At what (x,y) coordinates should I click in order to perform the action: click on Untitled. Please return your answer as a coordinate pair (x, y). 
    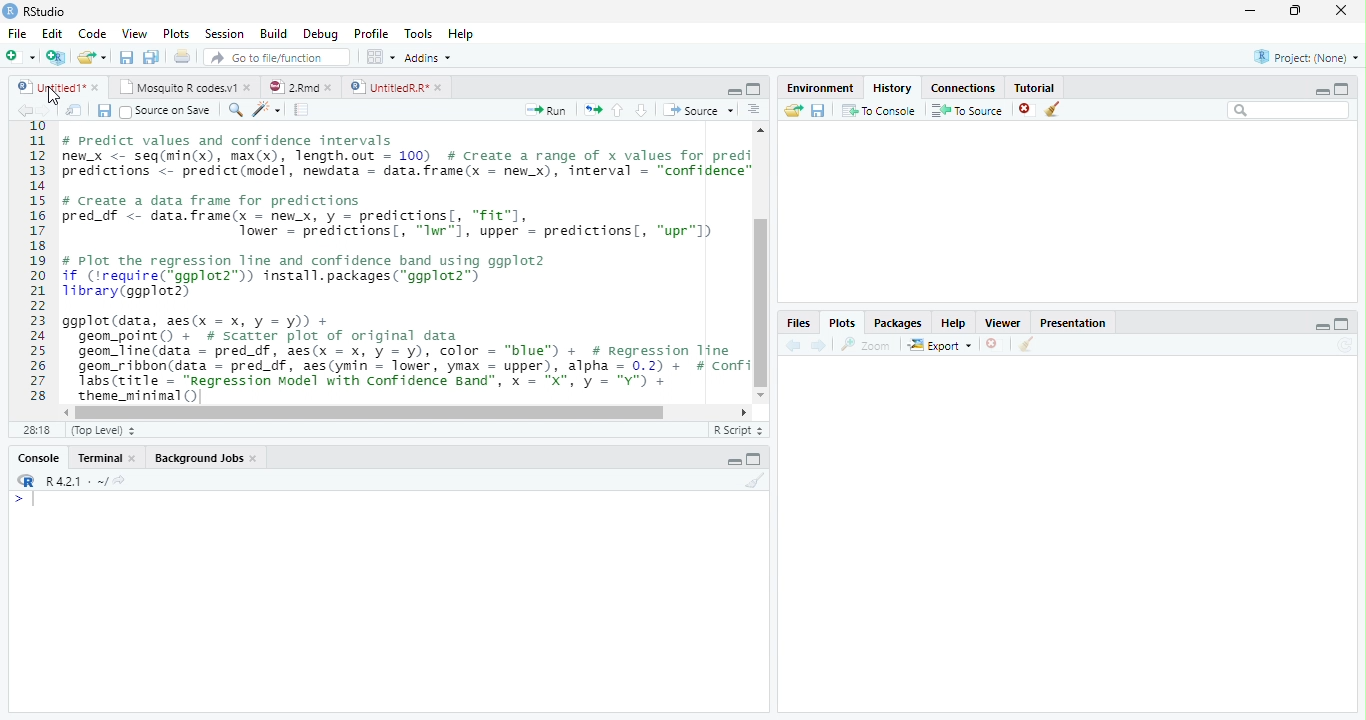
    Looking at the image, I should click on (59, 86).